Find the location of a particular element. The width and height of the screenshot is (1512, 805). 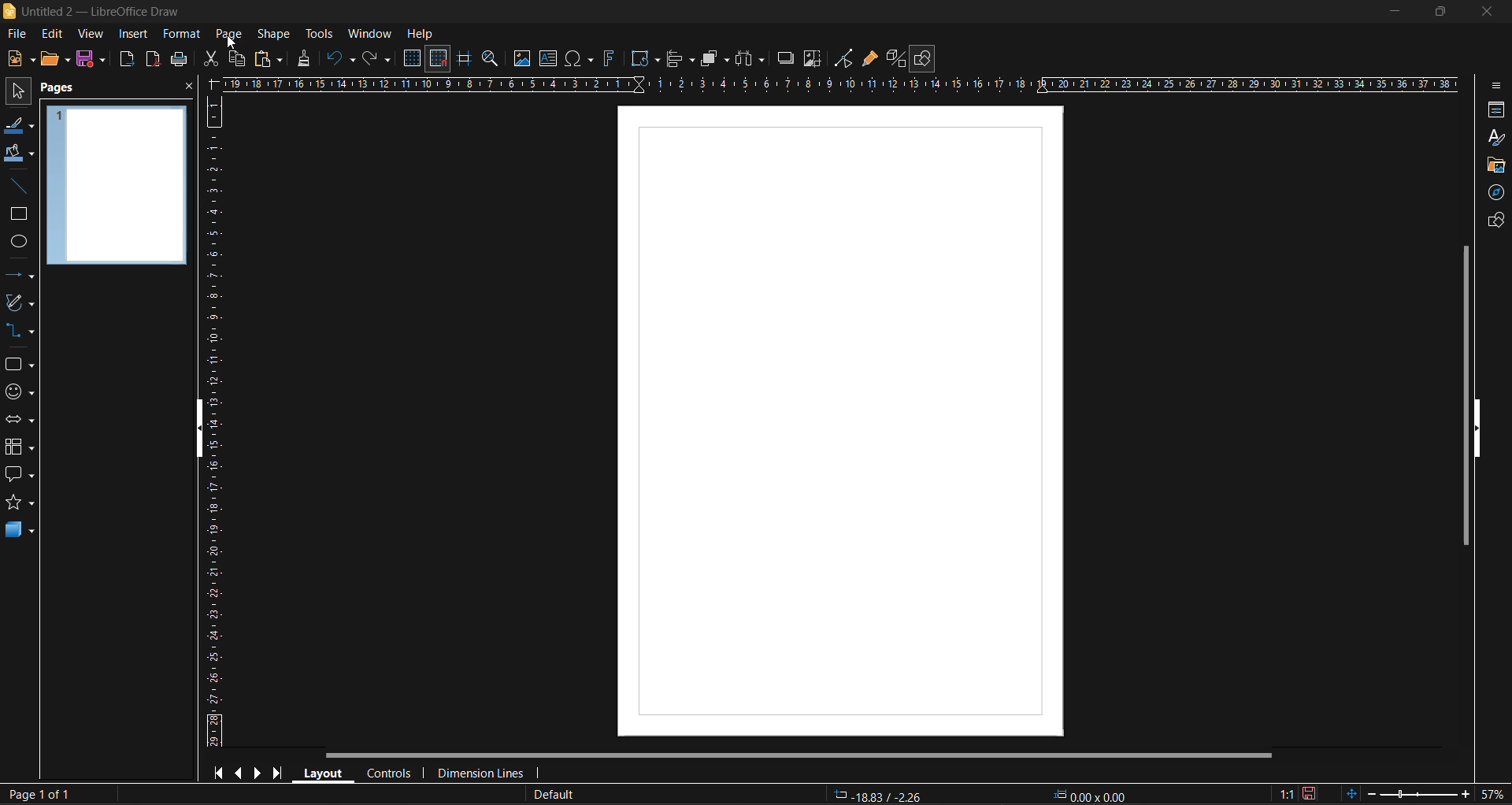

connectors is located at coordinates (22, 331).